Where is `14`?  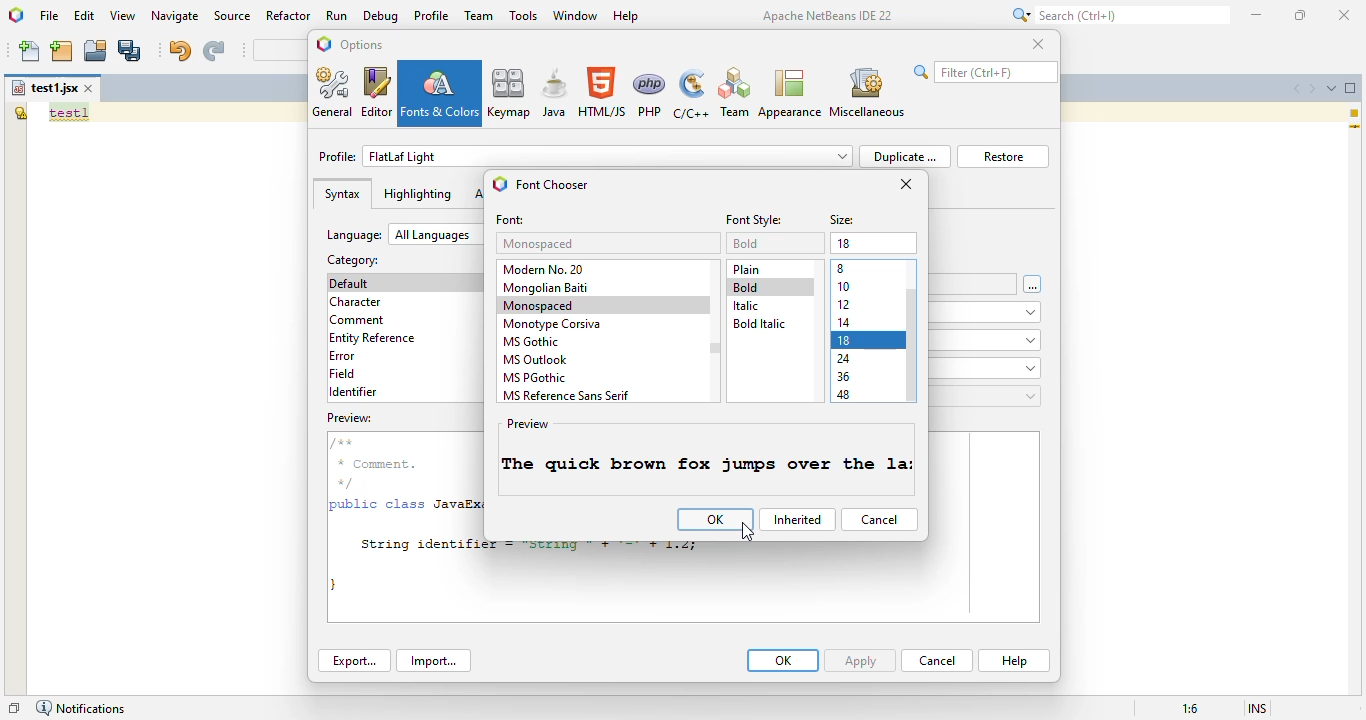
14 is located at coordinates (845, 243).